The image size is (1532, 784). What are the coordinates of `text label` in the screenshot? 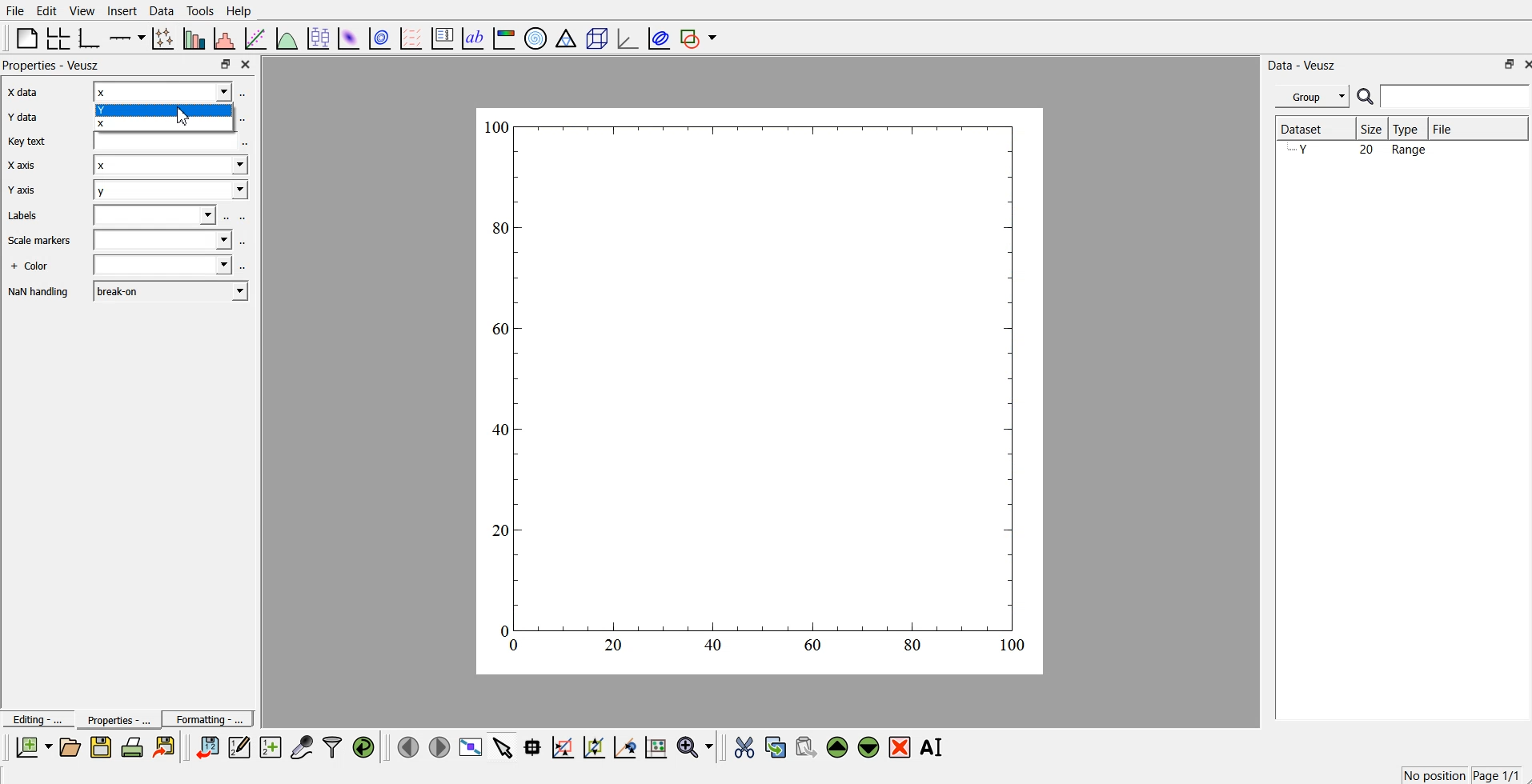 It's located at (473, 38).